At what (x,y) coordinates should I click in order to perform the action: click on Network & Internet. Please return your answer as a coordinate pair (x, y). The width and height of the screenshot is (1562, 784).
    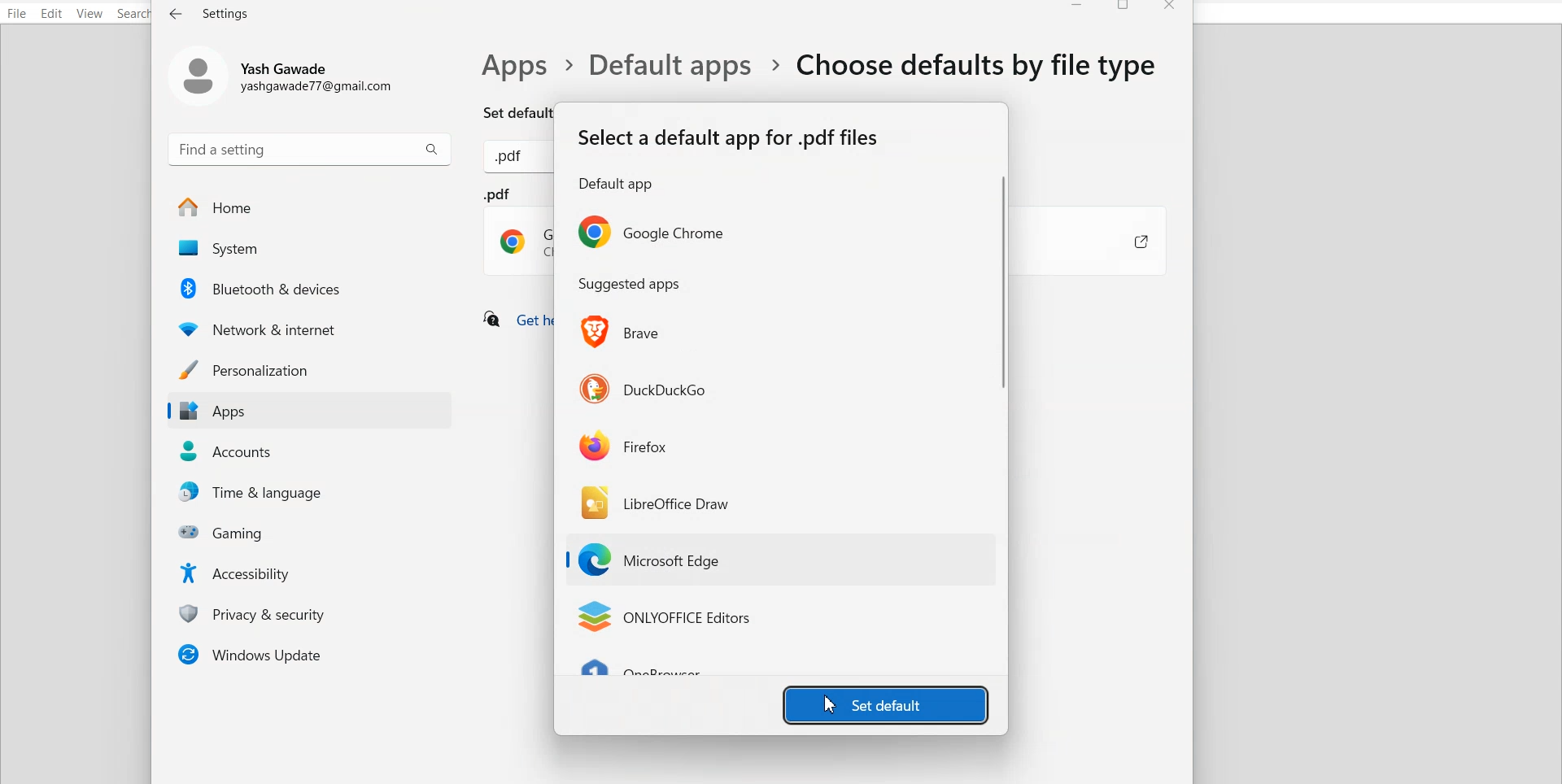
    Looking at the image, I should click on (311, 327).